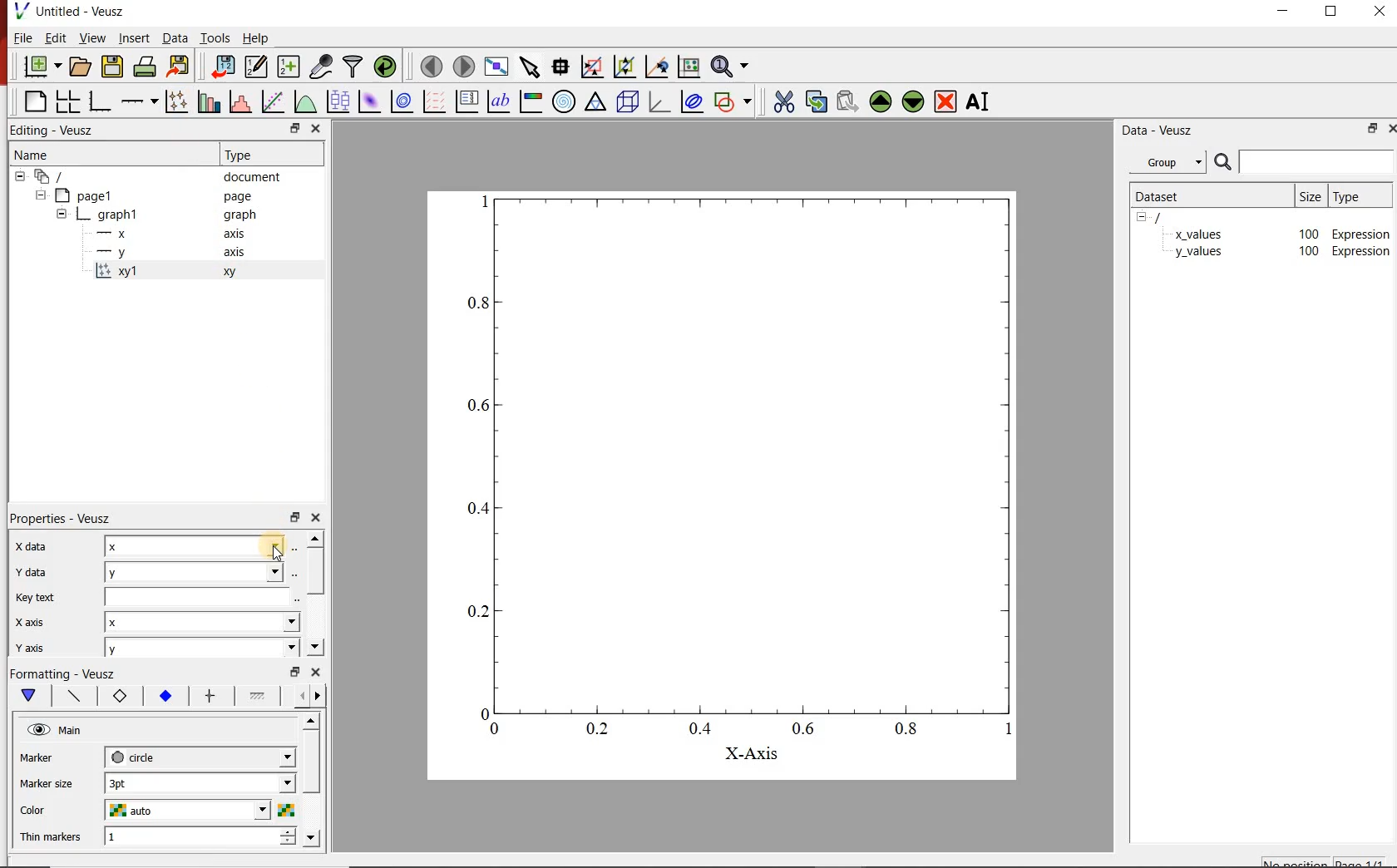 This screenshot has width=1397, height=868. Describe the element at coordinates (239, 215) in the screenshot. I see `graph` at that location.